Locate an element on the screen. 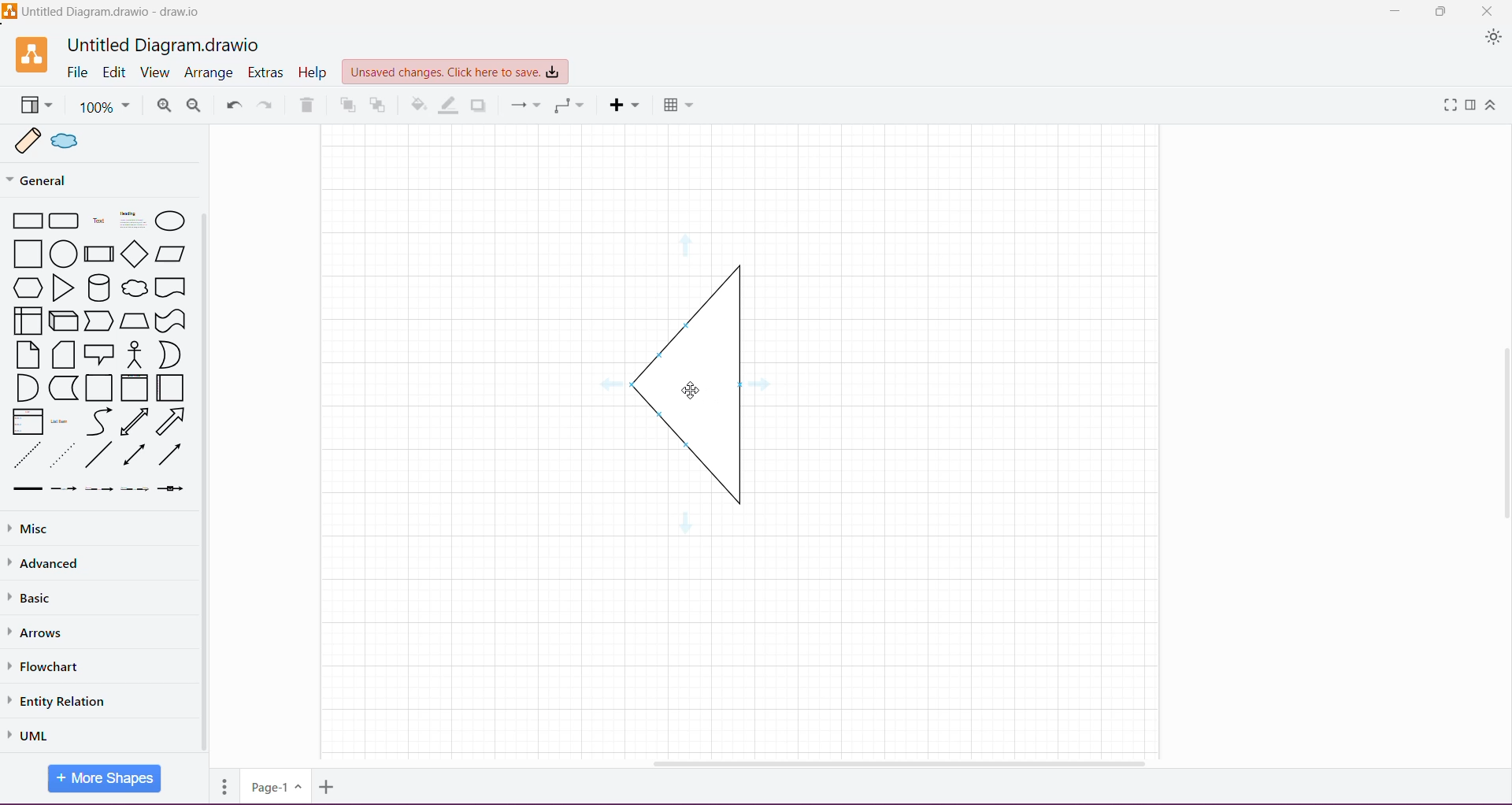 The image size is (1512, 805). General is located at coordinates (69, 180).